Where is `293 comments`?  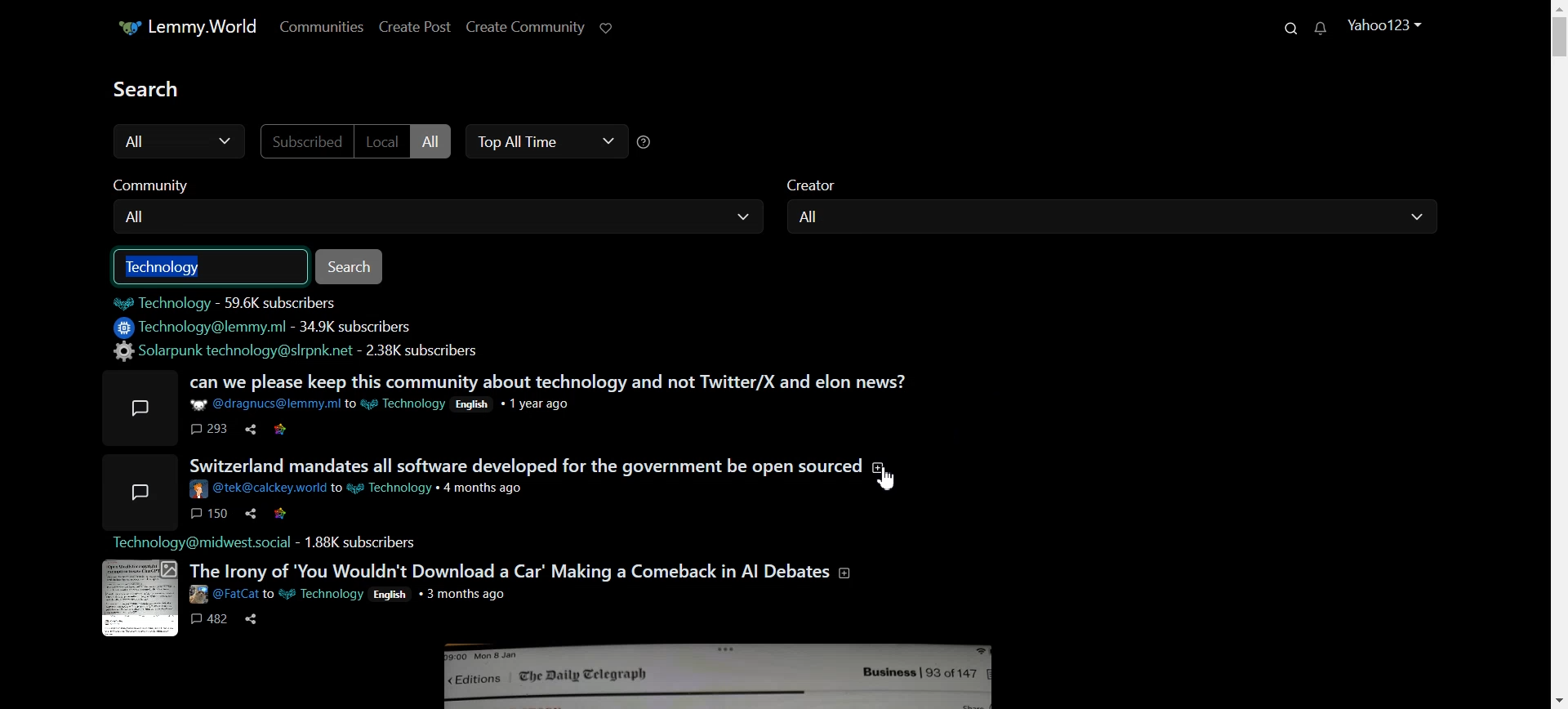
293 comments is located at coordinates (207, 429).